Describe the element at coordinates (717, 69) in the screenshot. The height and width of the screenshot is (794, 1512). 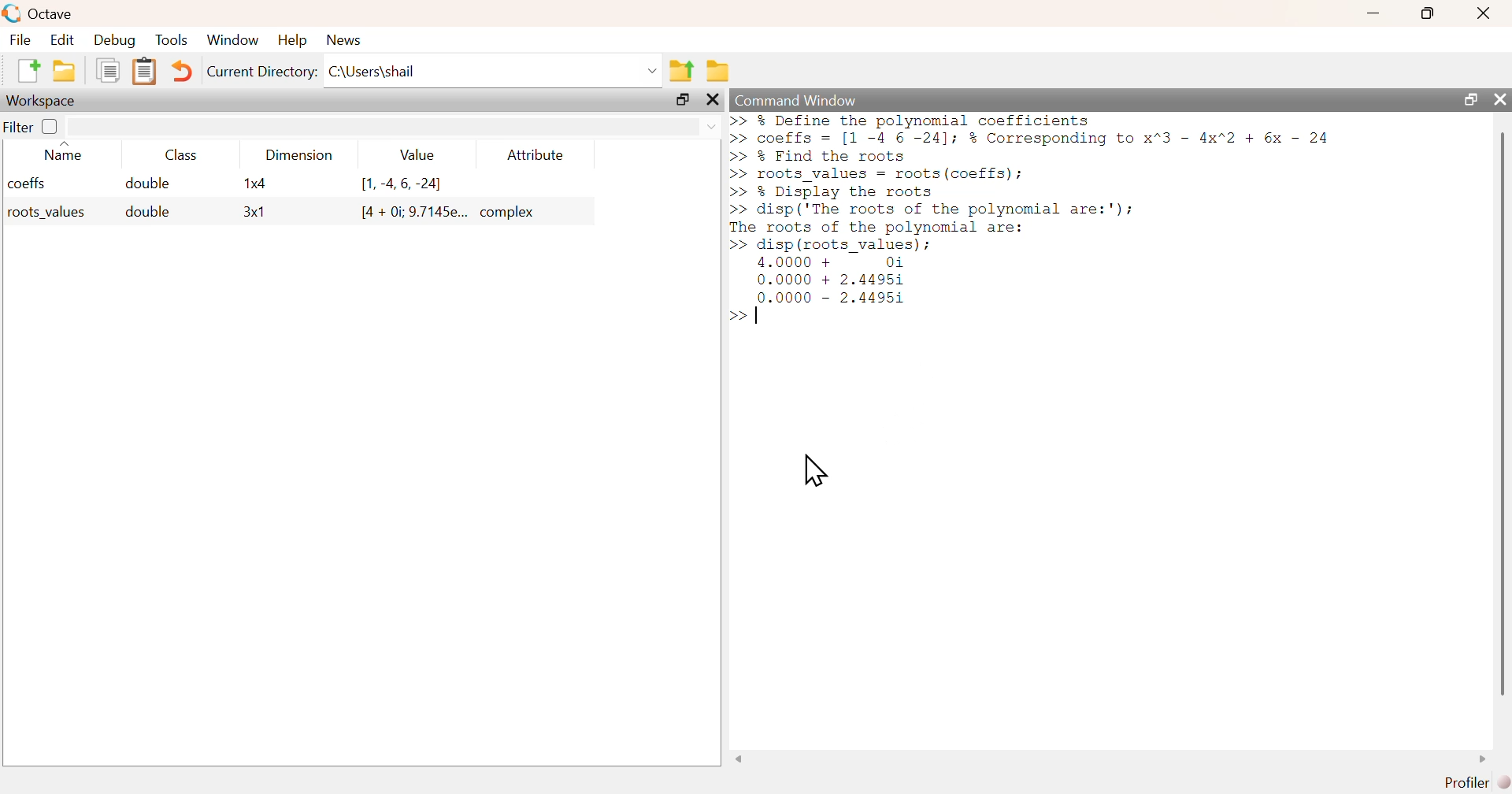
I see `Folder` at that location.